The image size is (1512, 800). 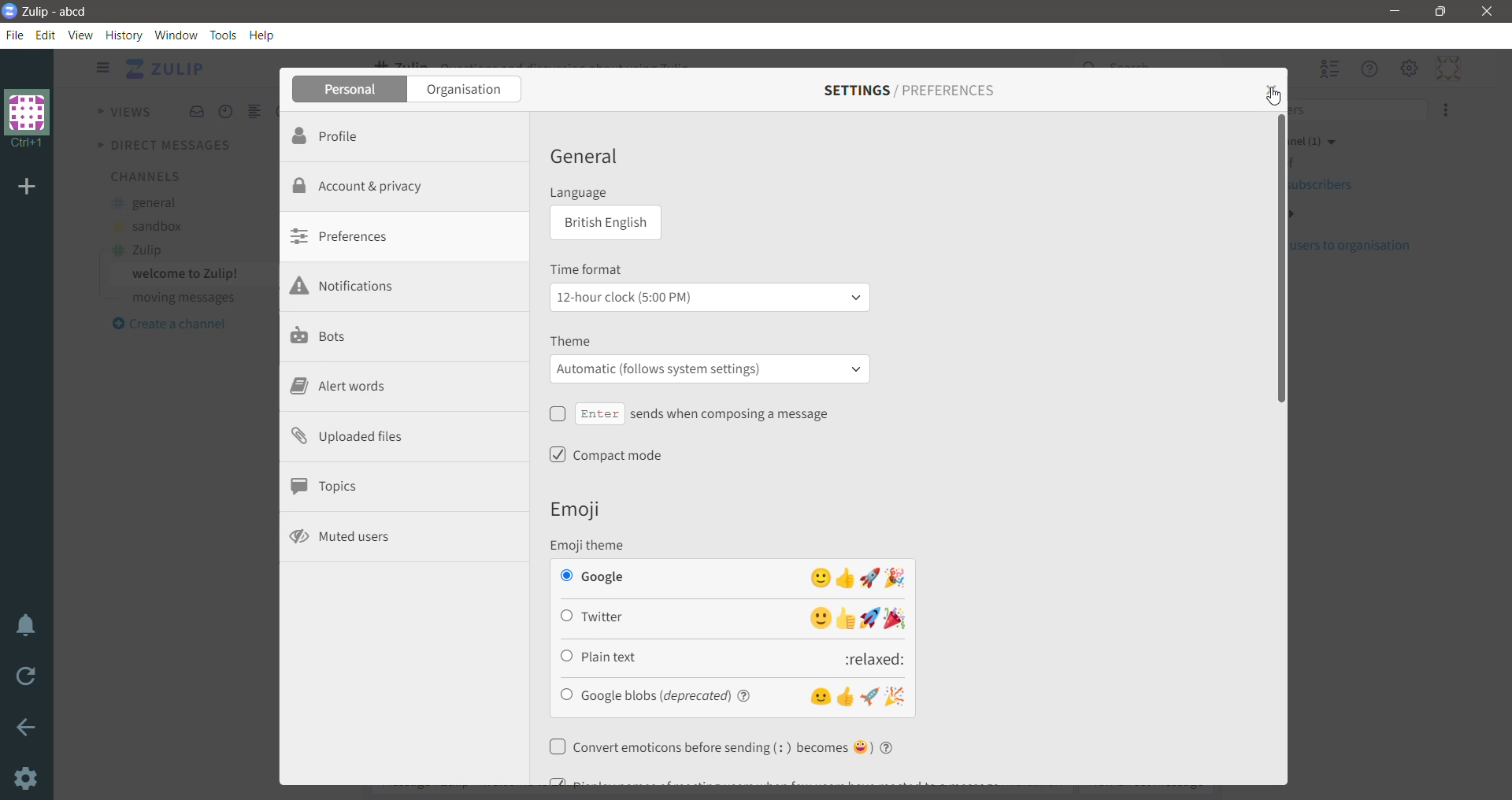 What do you see at coordinates (174, 274) in the screenshot?
I see `welcome to Zulip` at bounding box center [174, 274].